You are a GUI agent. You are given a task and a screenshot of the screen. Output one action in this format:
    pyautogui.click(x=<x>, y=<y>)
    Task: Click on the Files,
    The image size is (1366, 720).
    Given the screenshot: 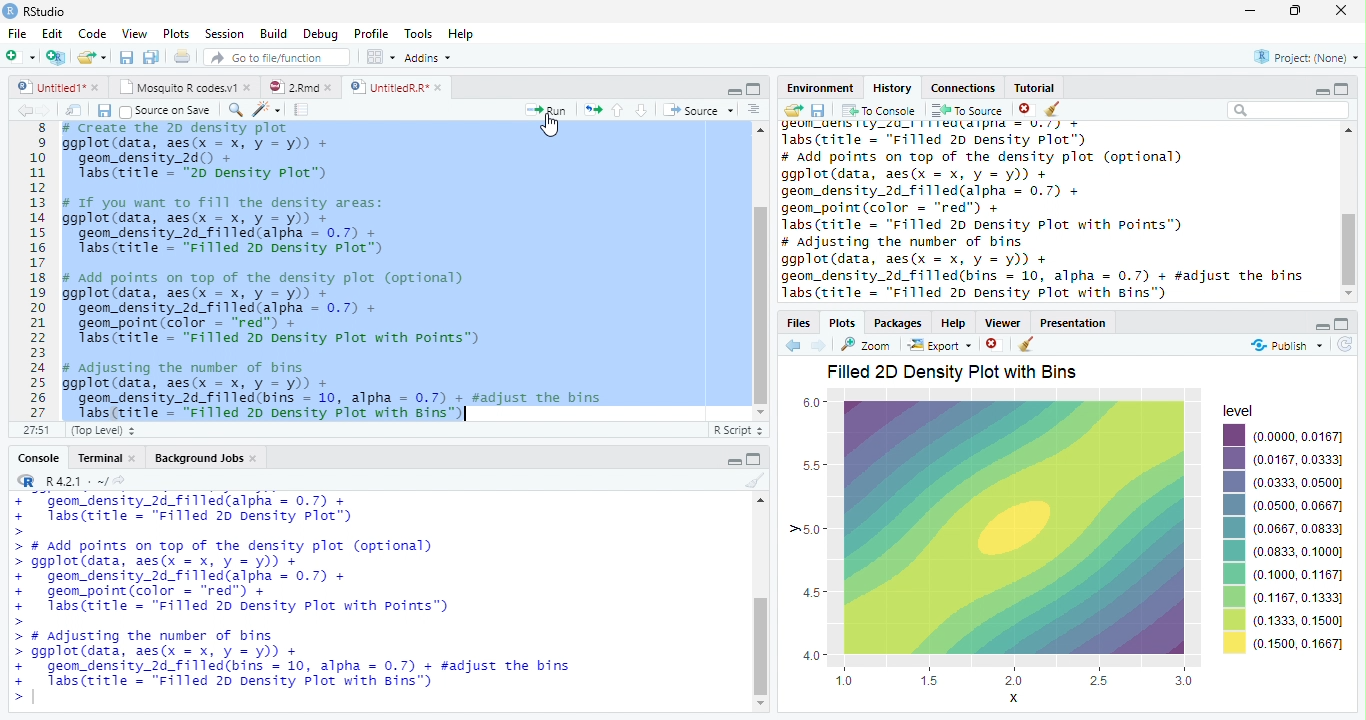 What is the action you would take?
    pyautogui.click(x=795, y=323)
    